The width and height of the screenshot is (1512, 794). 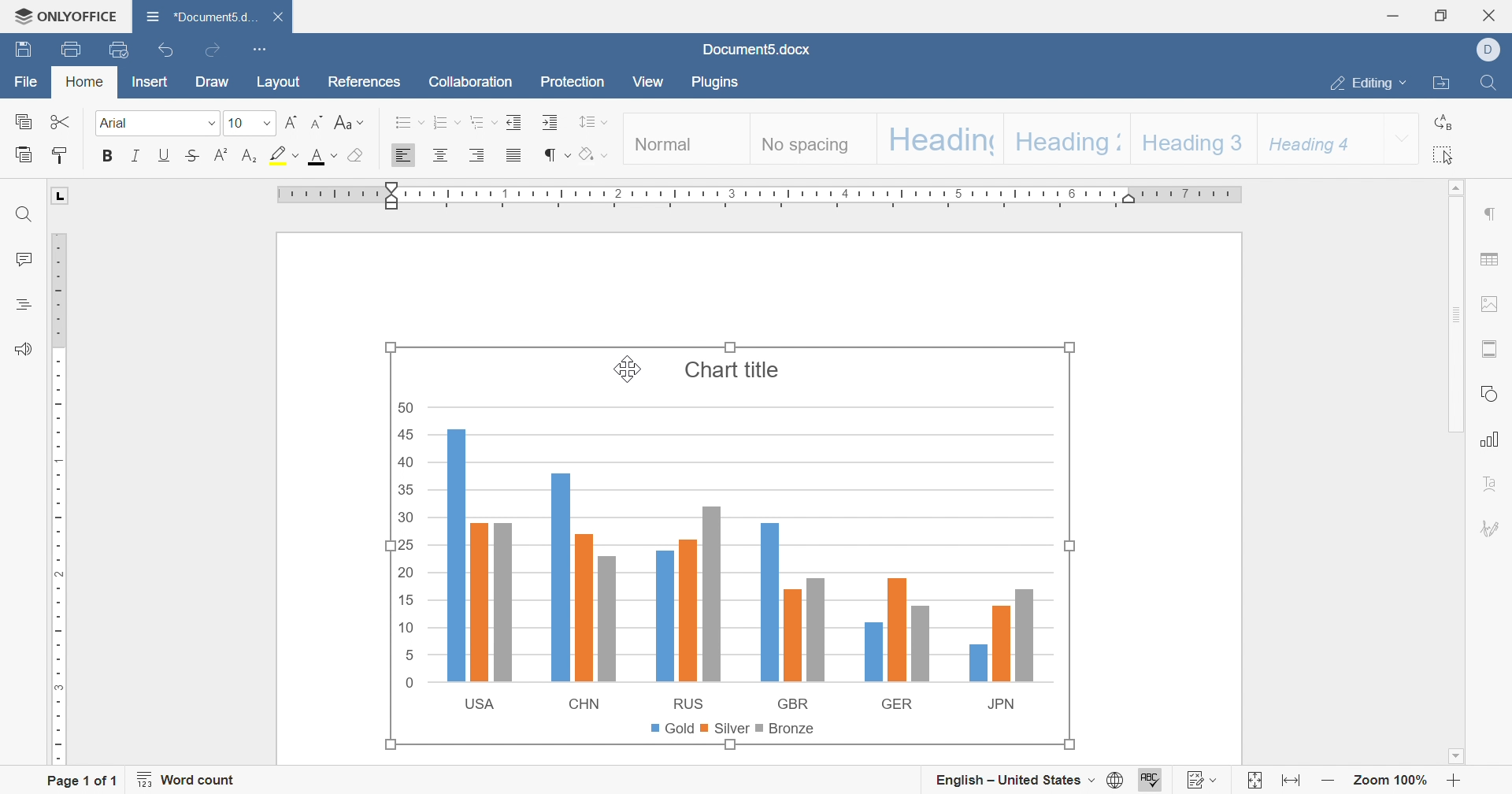 I want to click on numbering, so click(x=445, y=122).